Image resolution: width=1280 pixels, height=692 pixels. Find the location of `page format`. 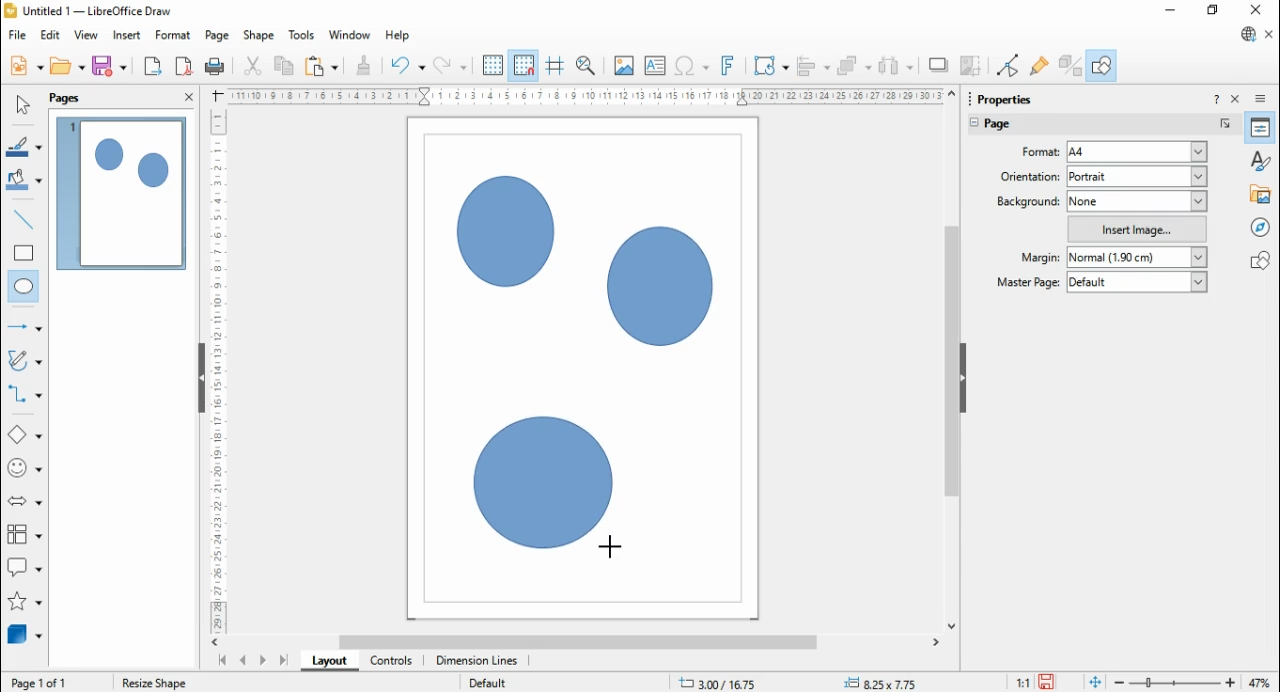

page format is located at coordinates (1042, 151).